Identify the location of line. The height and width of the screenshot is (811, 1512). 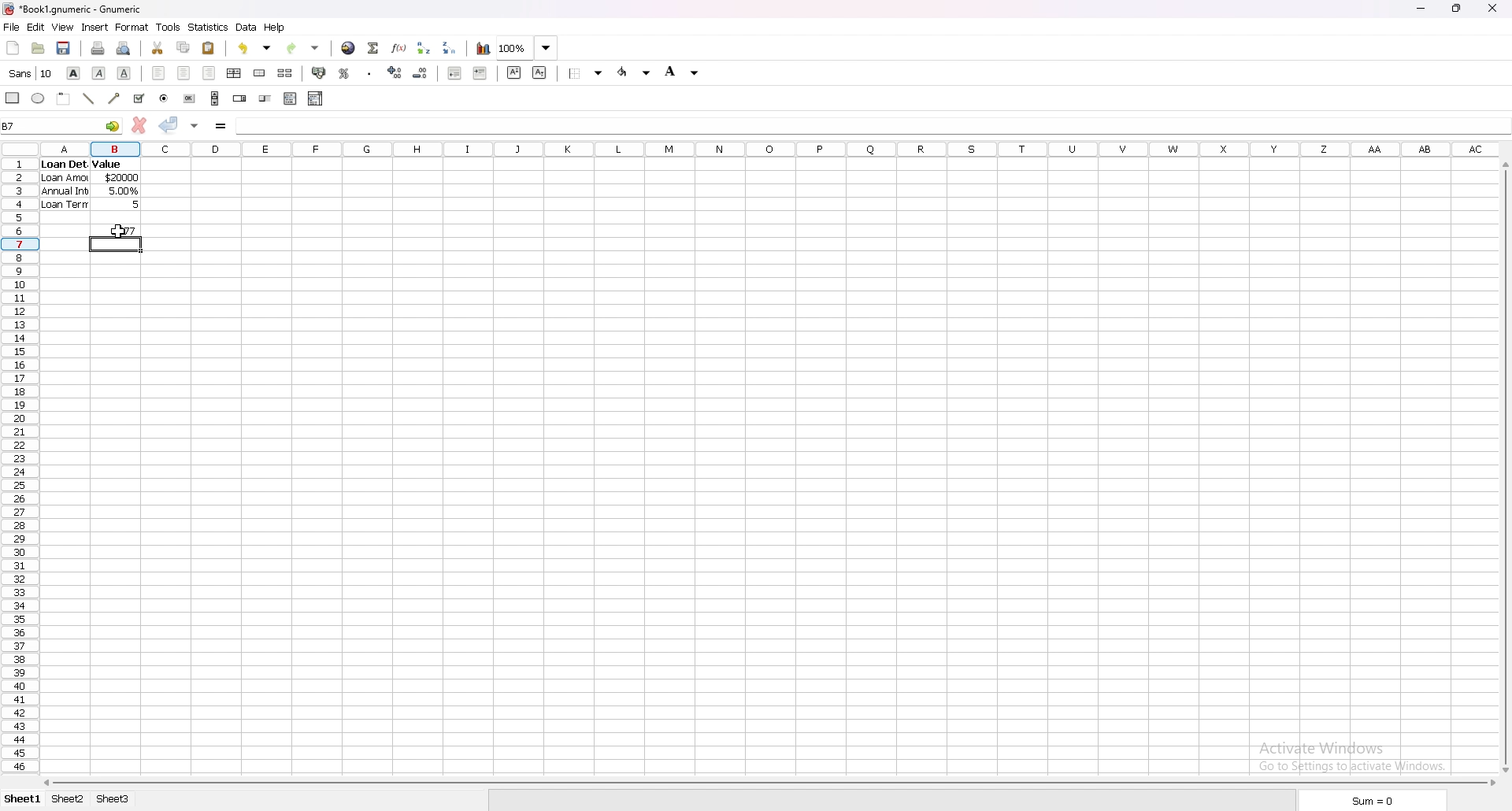
(89, 99).